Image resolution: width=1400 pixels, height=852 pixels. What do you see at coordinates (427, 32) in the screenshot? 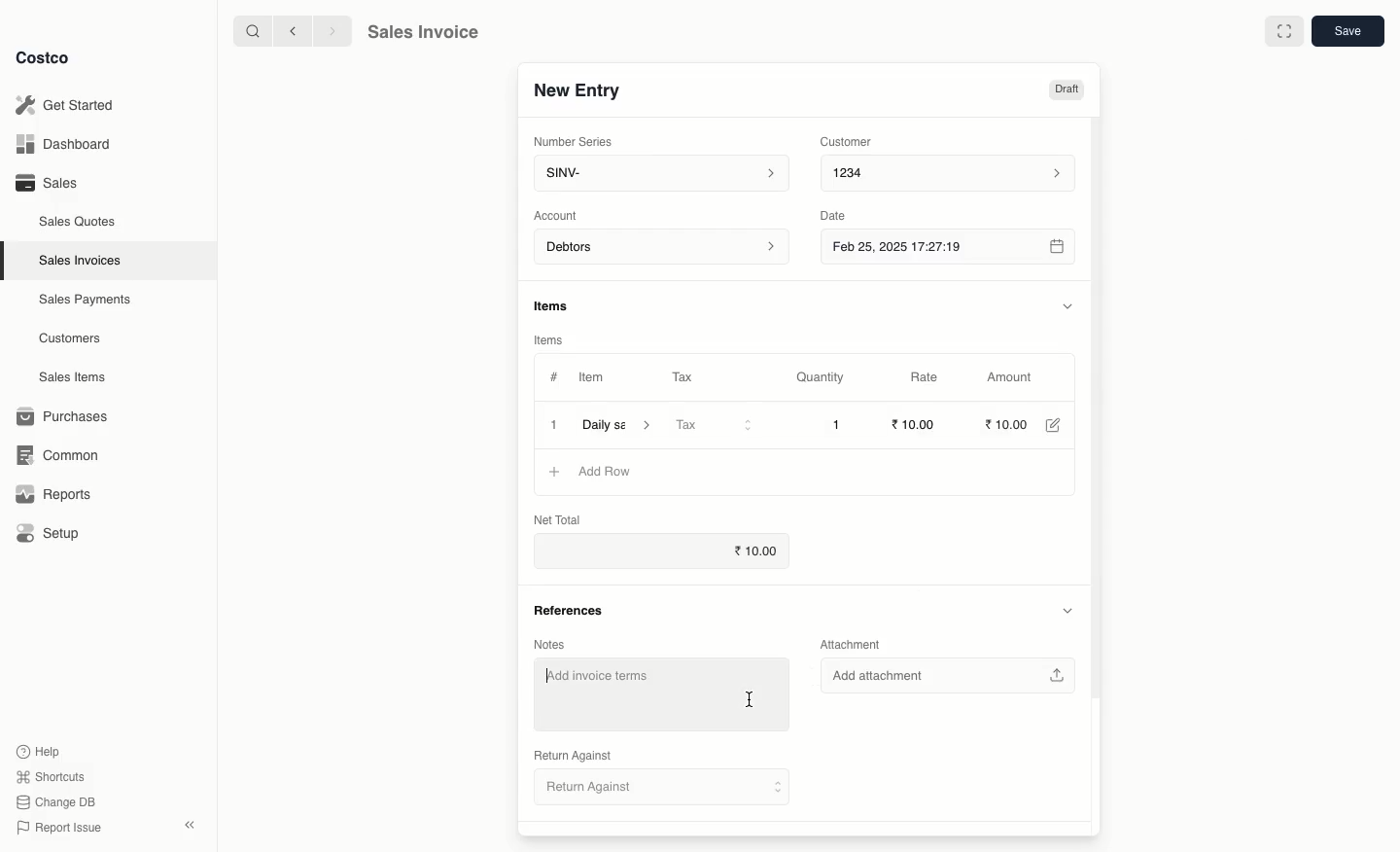
I see `Sales Invoice` at bounding box center [427, 32].